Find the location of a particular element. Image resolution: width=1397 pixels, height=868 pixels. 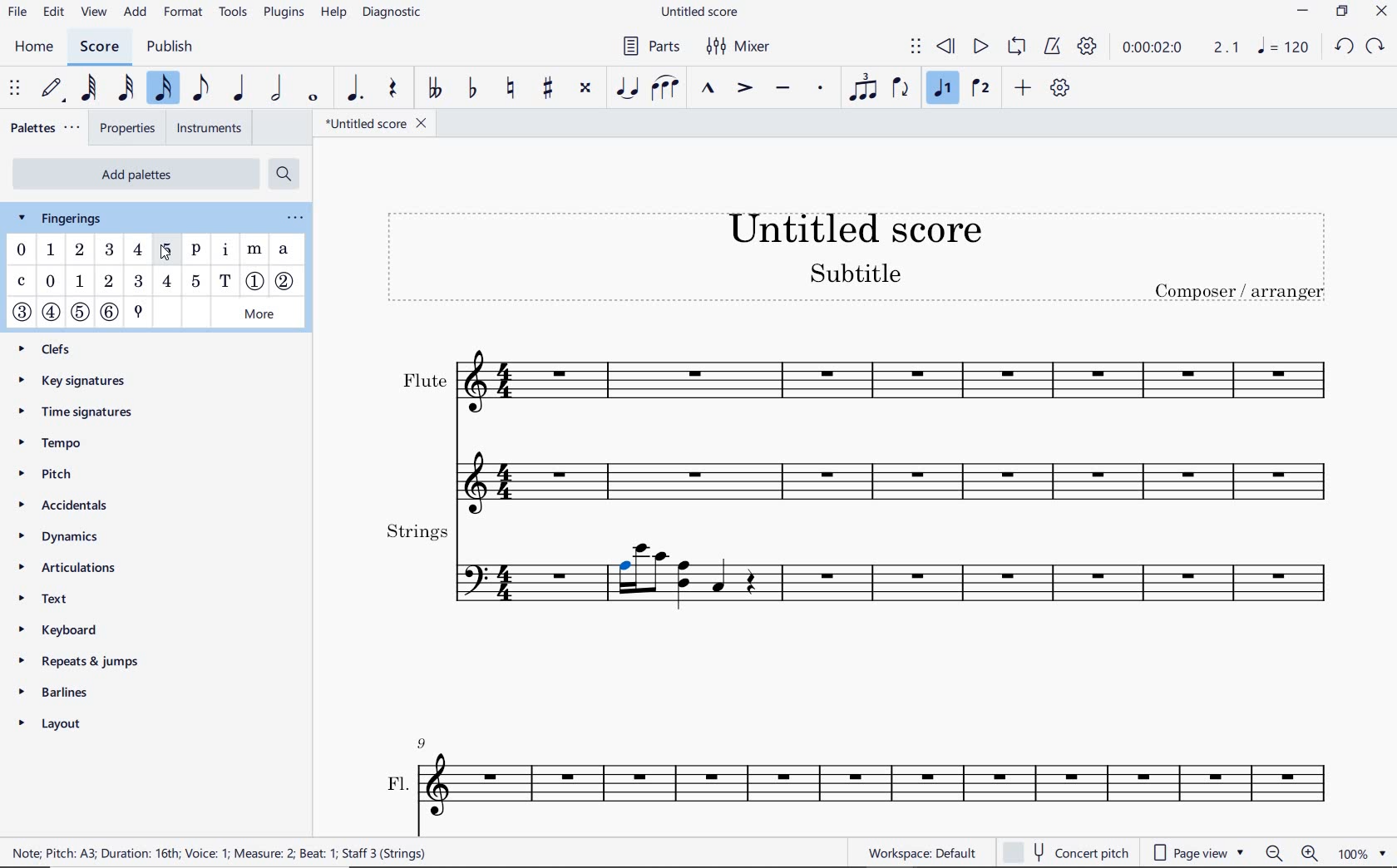

flute is located at coordinates (859, 421).